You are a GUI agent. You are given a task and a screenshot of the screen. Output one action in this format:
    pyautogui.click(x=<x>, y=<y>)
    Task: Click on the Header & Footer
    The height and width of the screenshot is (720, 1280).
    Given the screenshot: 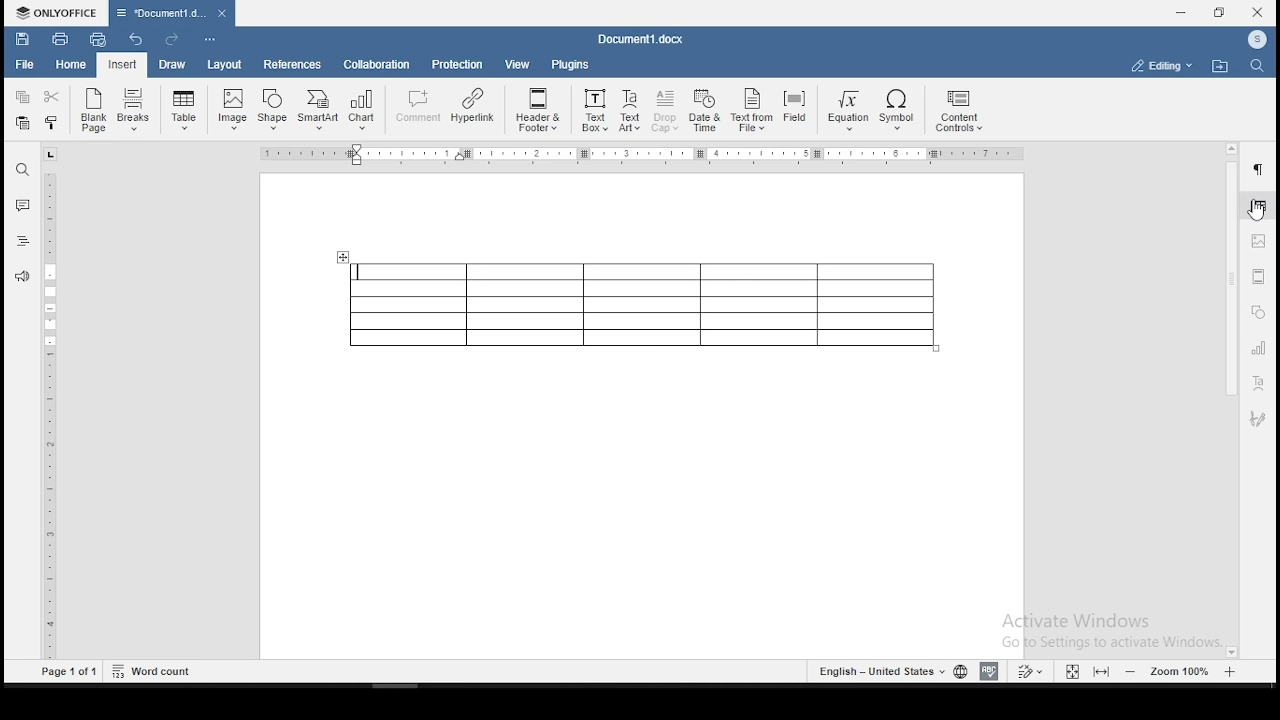 What is the action you would take?
    pyautogui.click(x=537, y=110)
    